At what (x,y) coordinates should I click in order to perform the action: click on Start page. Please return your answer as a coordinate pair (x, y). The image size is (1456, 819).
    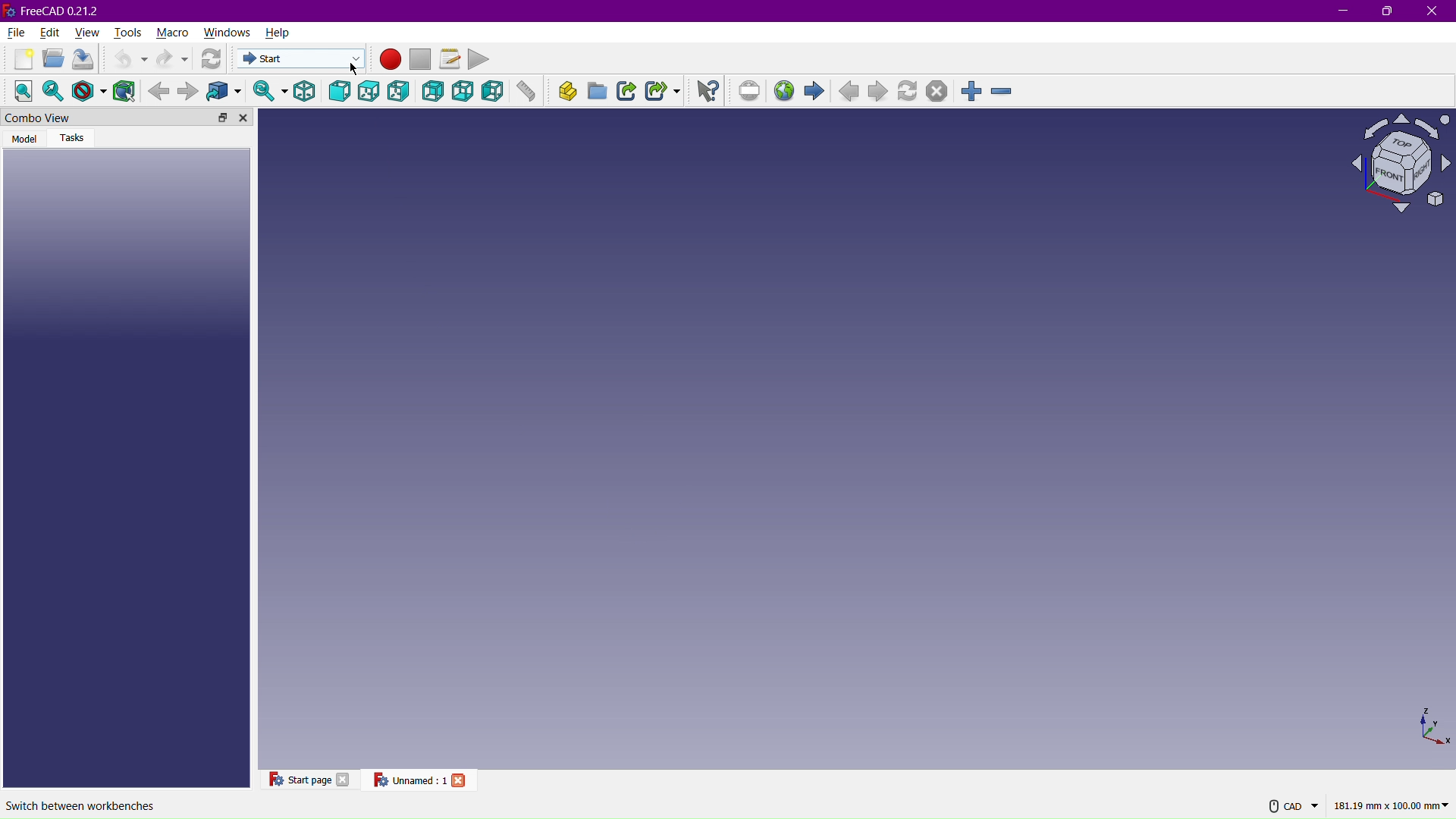
    Looking at the image, I should click on (299, 778).